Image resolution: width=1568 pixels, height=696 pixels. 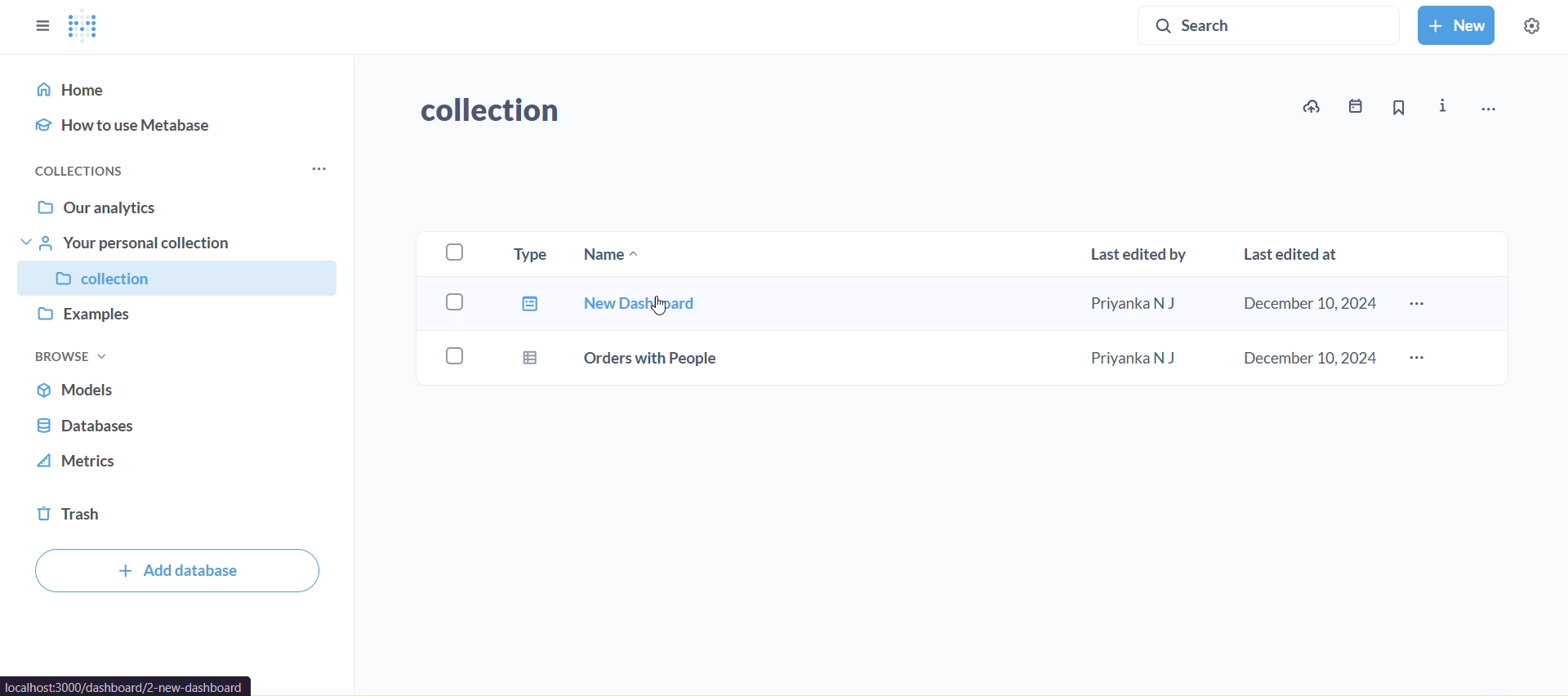 I want to click on examples, so click(x=180, y=316).